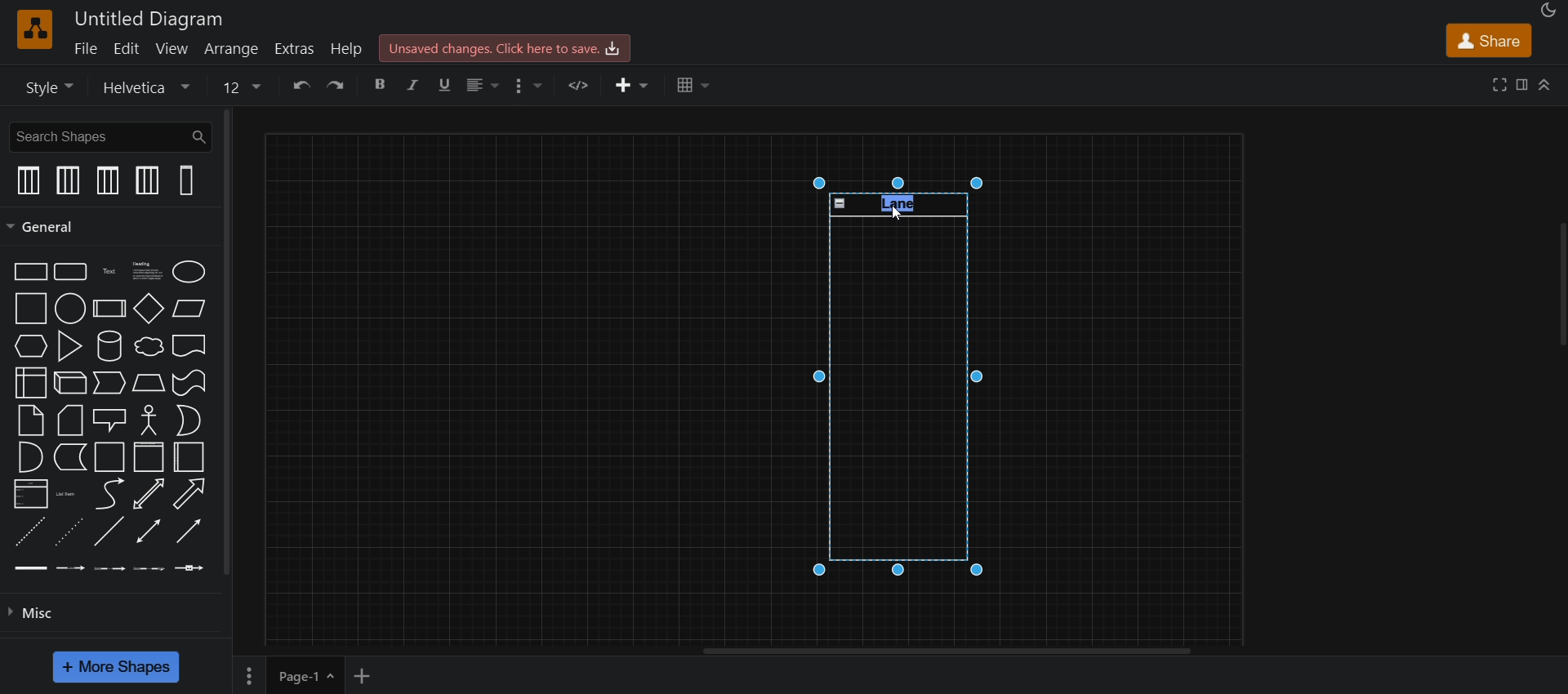 The height and width of the screenshot is (694, 1568). Describe the element at coordinates (287, 674) in the screenshot. I see `page 1` at that location.